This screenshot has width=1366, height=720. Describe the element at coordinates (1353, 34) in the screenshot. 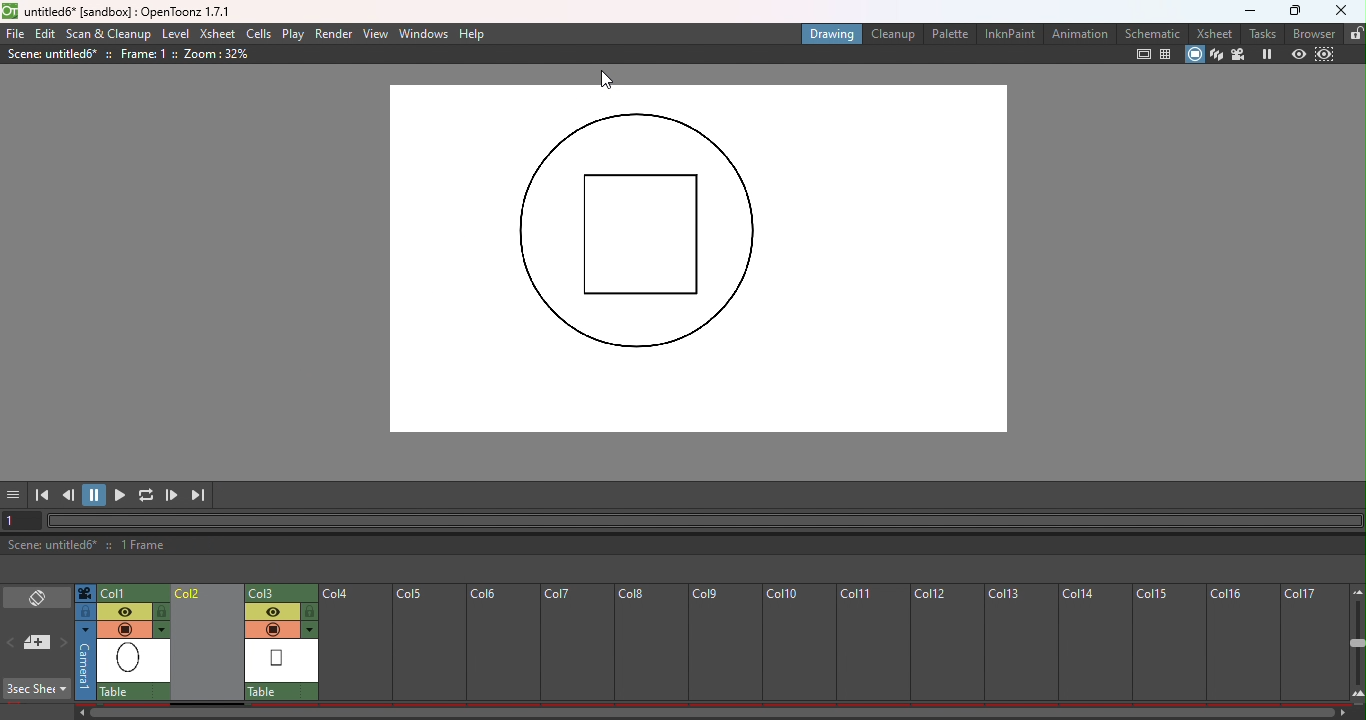

I see `Lock rooms tab` at that location.